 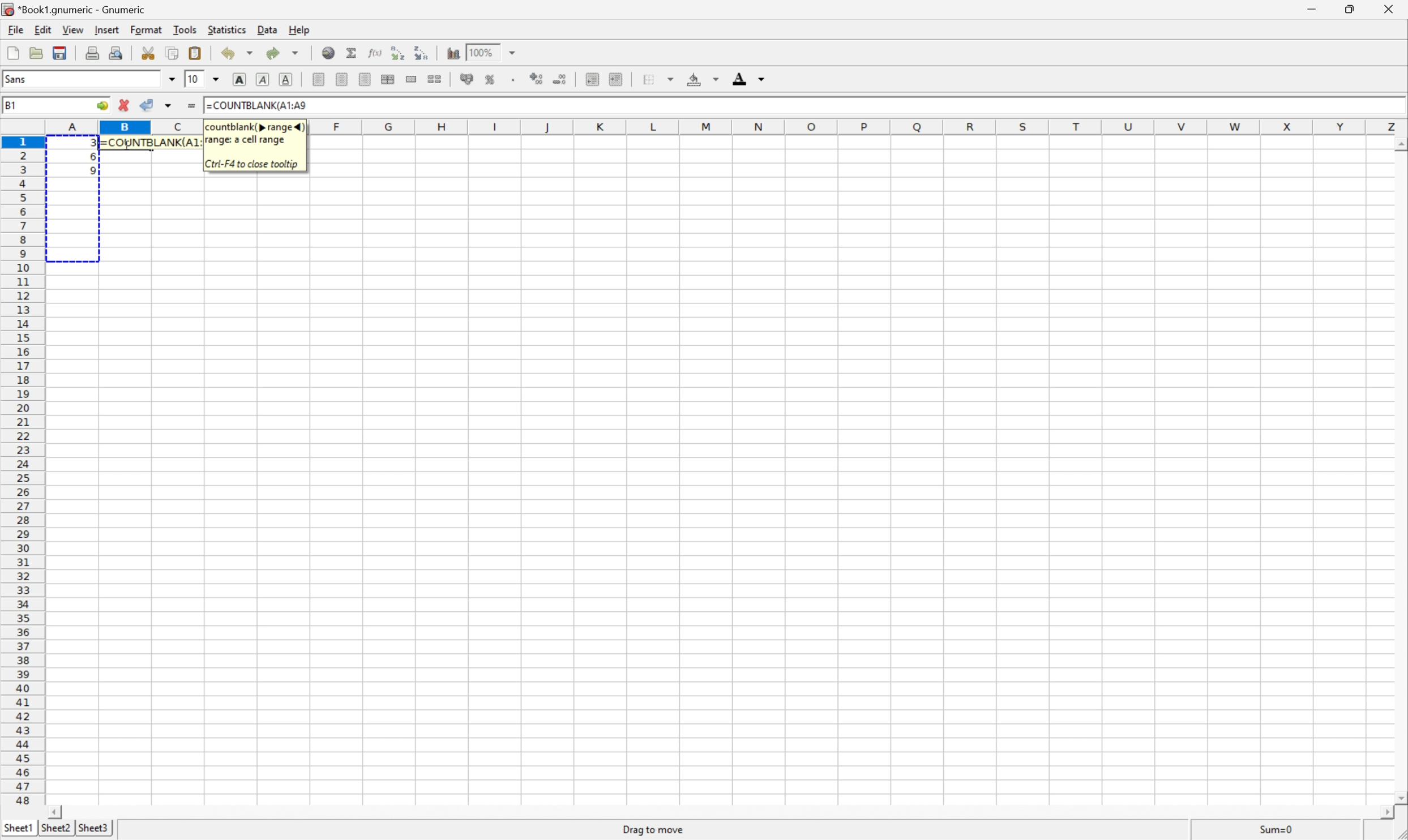 What do you see at coordinates (93, 828) in the screenshot?
I see `Sheet3` at bounding box center [93, 828].